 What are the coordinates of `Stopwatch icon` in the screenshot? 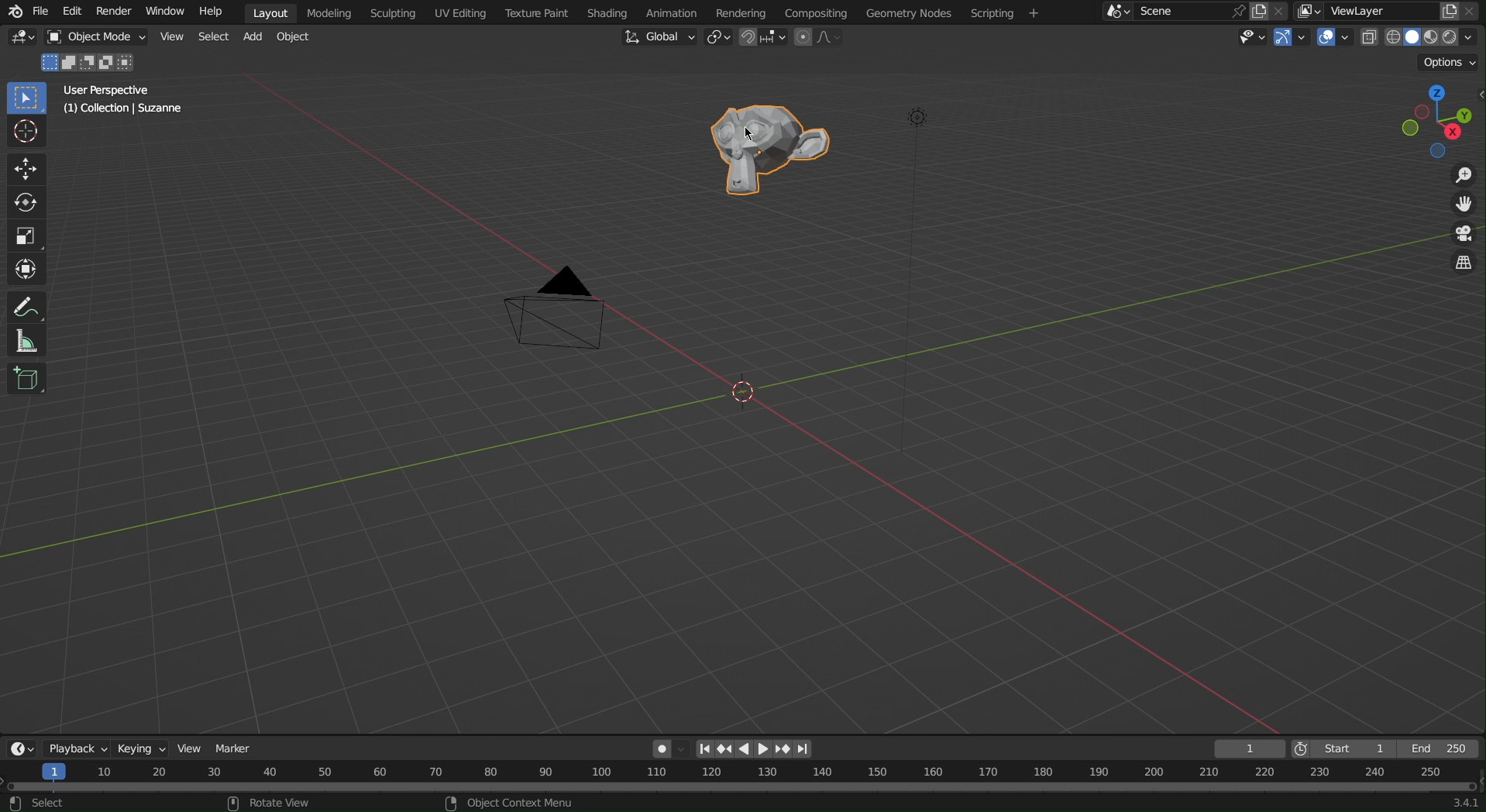 It's located at (1302, 748).